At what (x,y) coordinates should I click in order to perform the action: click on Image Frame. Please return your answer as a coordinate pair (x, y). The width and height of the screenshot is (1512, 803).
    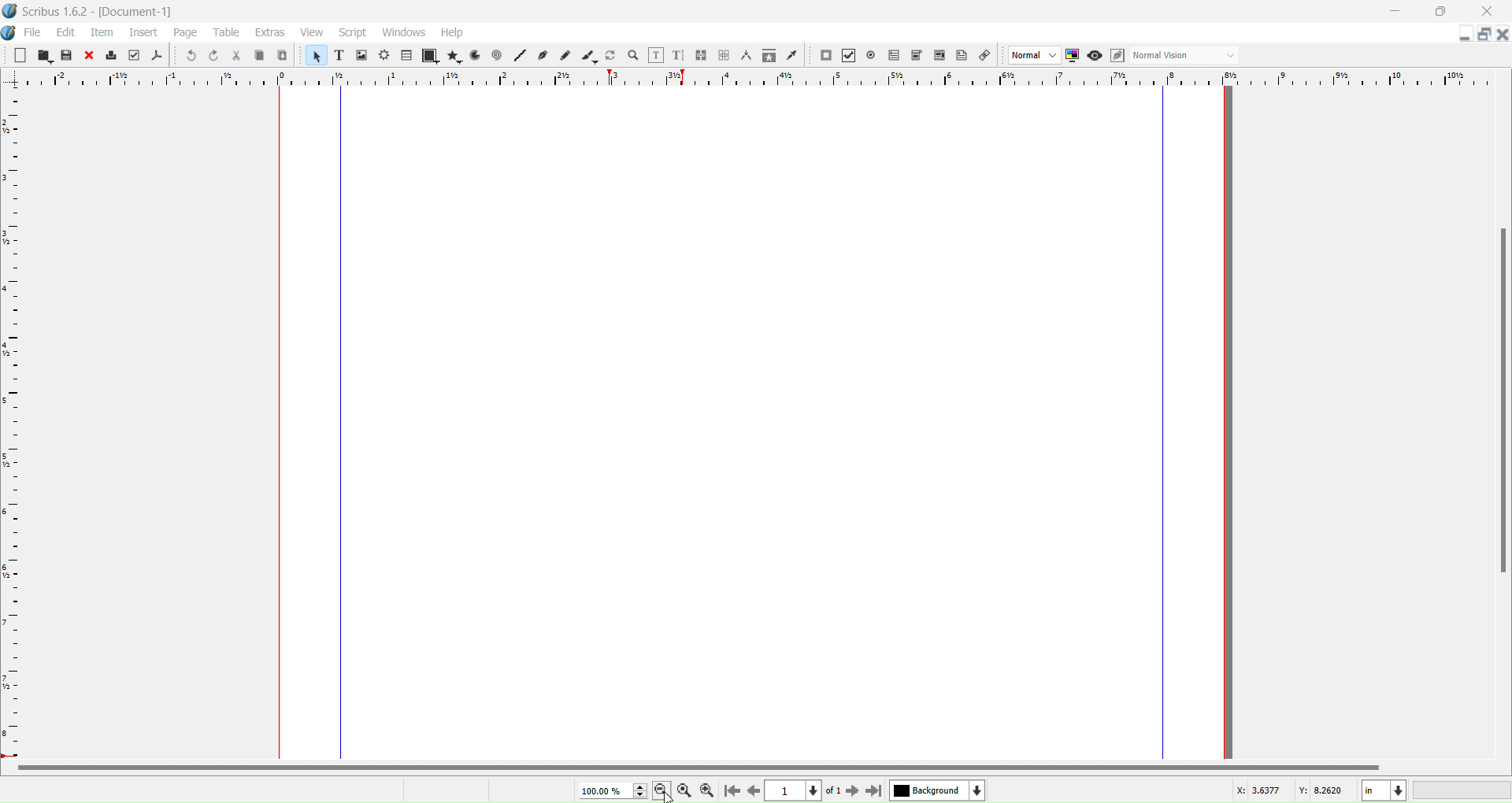
    Looking at the image, I should click on (315, 55).